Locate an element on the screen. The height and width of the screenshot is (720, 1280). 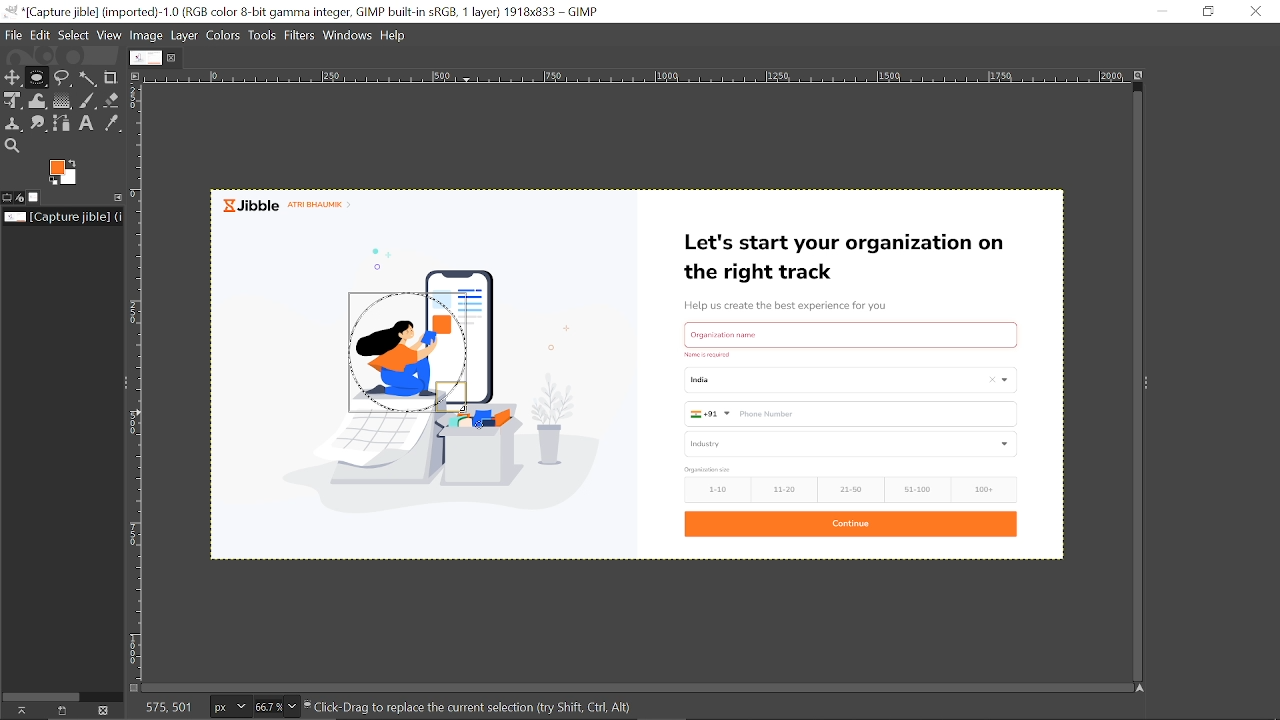
Filters is located at coordinates (302, 35).